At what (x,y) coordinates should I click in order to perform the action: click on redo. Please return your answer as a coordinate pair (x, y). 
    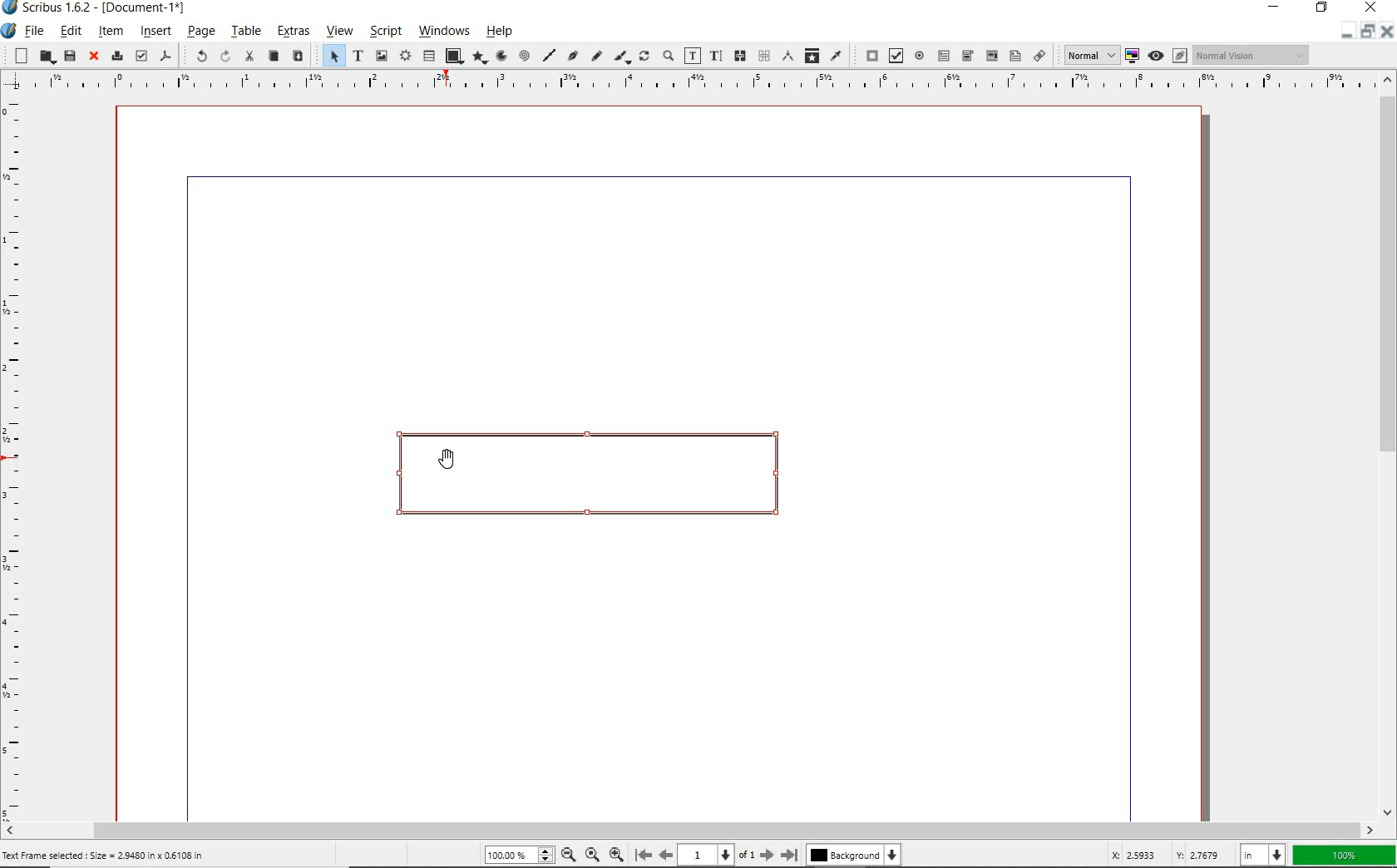
    Looking at the image, I should click on (224, 56).